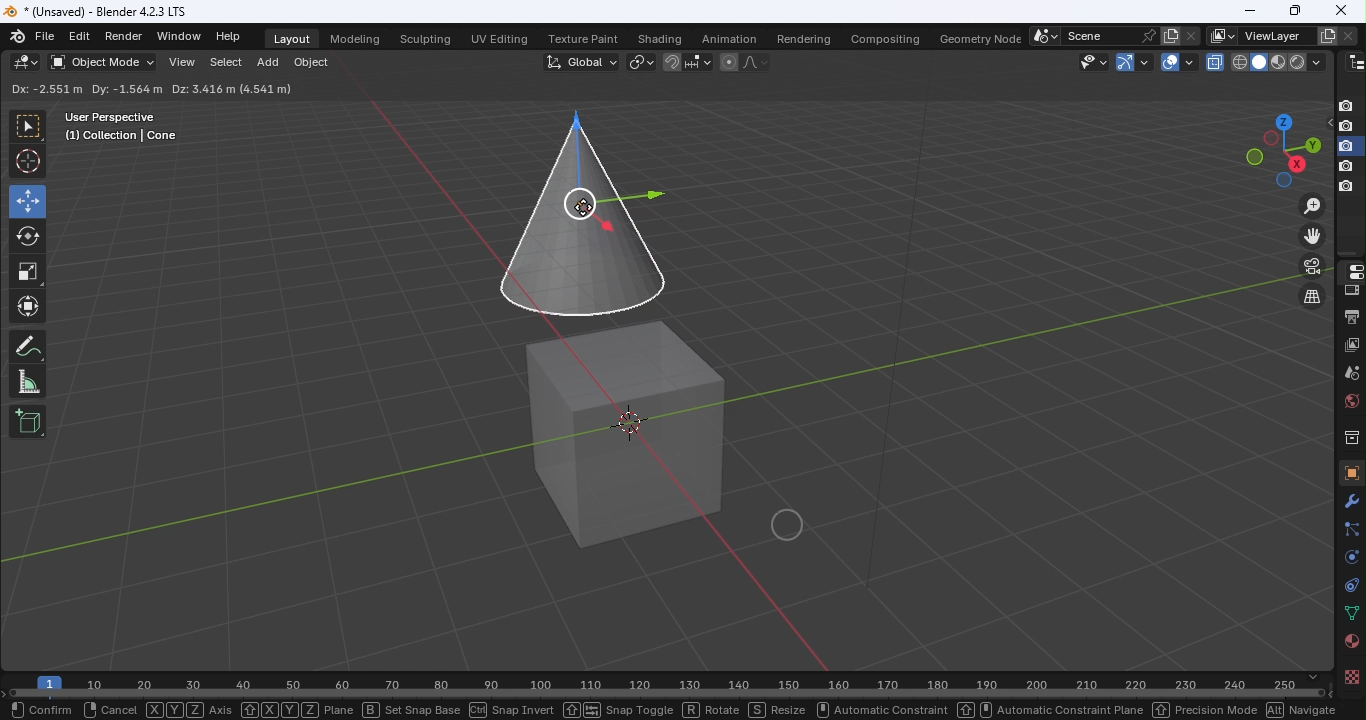 This screenshot has width=1366, height=720. Describe the element at coordinates (586, 207) in the screenshot. I see `cursor` at that location.